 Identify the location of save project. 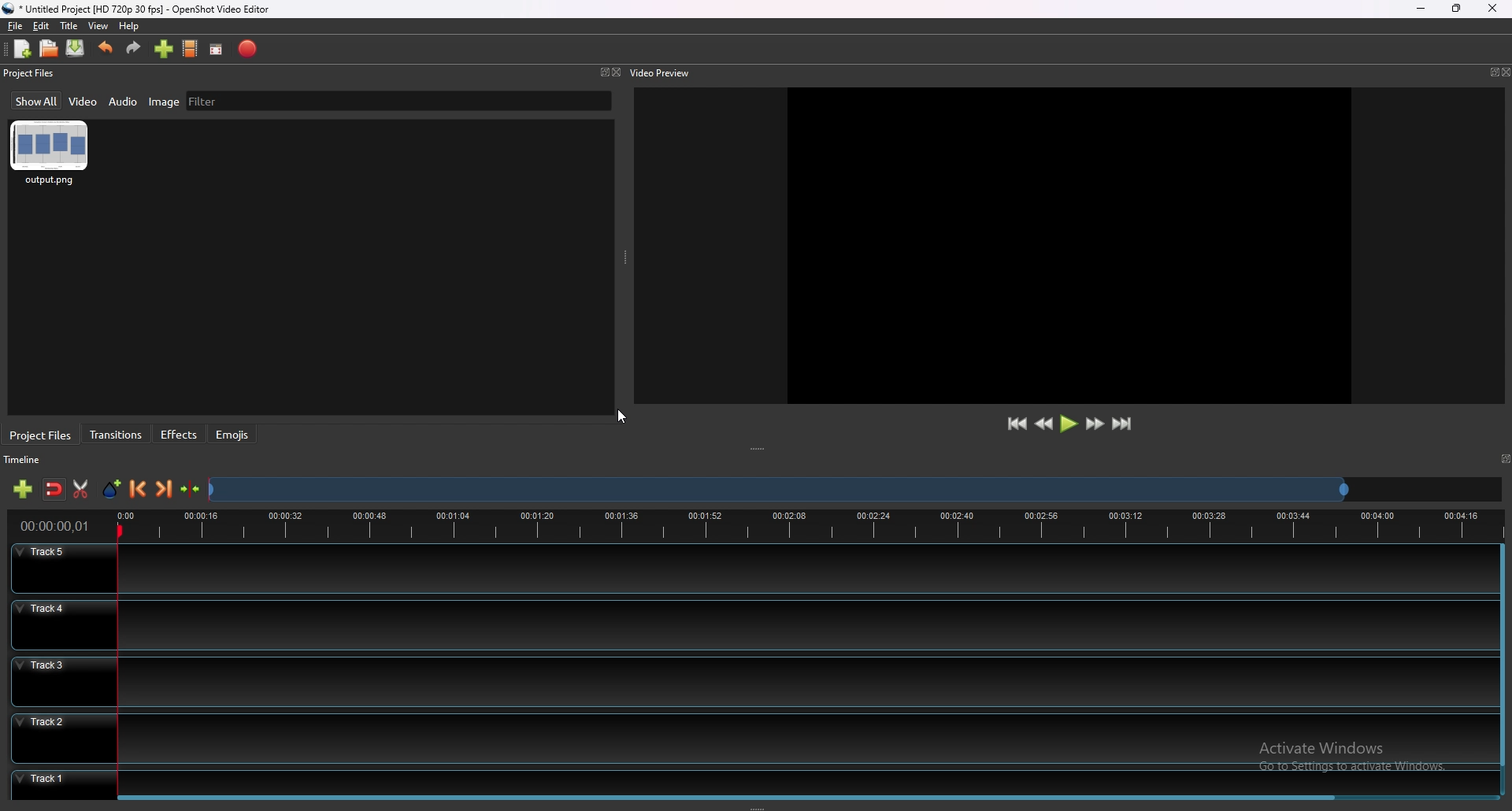
(76, 48).